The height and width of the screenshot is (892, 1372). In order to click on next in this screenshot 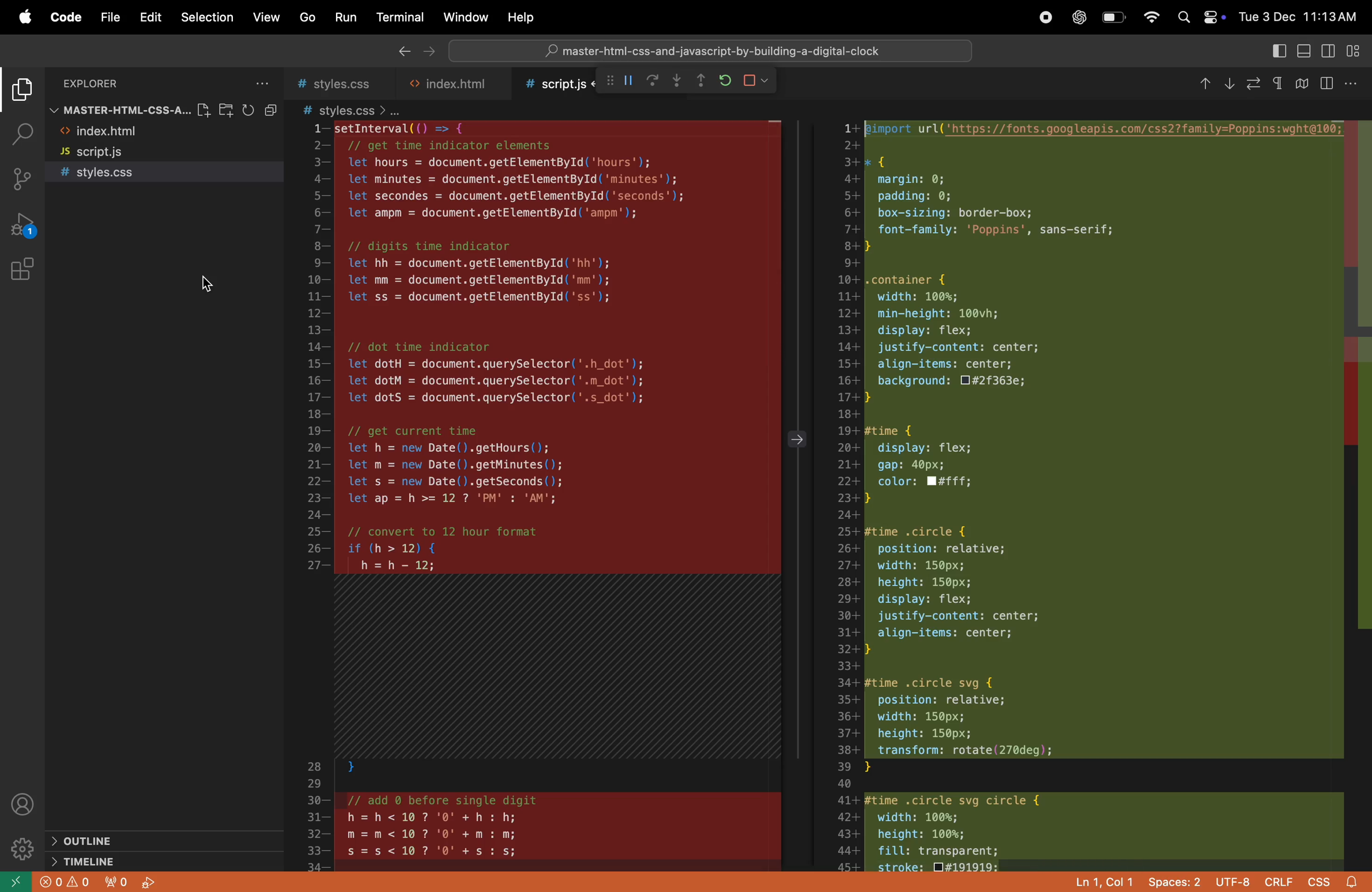, I will do `click(429, 52)`.